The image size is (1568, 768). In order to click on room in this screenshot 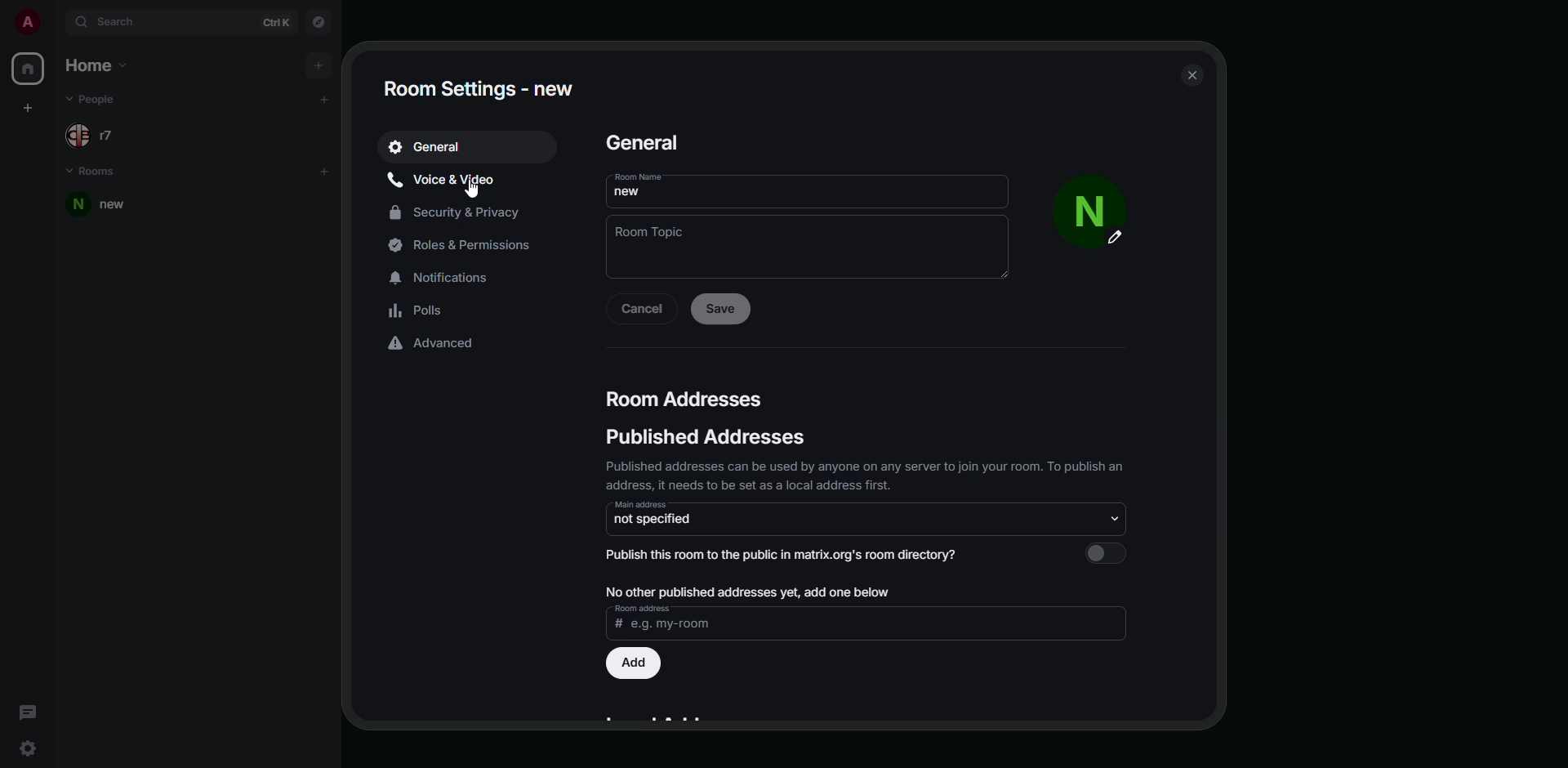, I will do `click(108, 205)`.